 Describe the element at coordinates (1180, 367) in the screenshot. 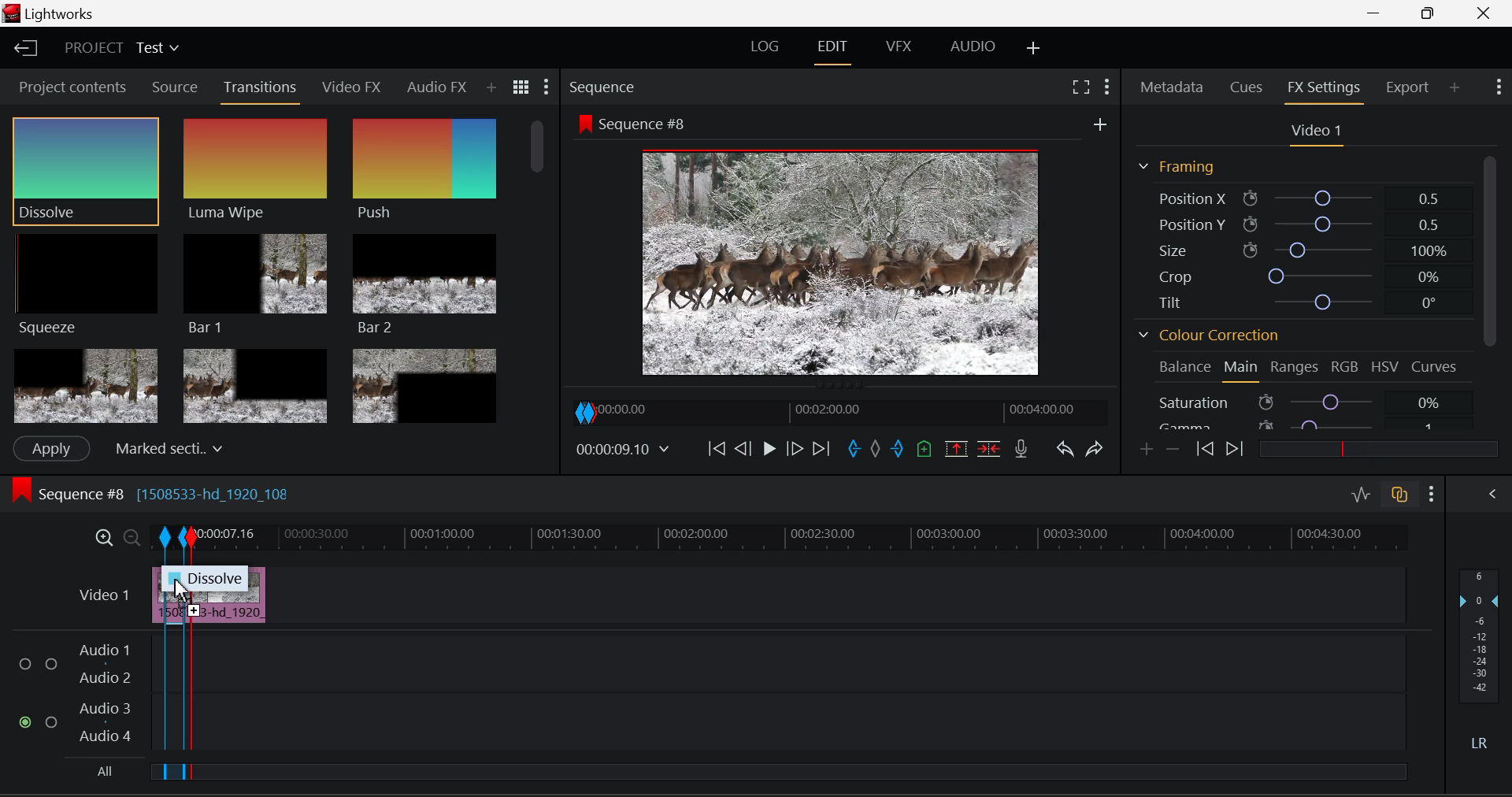

I see `Balance` at that location.